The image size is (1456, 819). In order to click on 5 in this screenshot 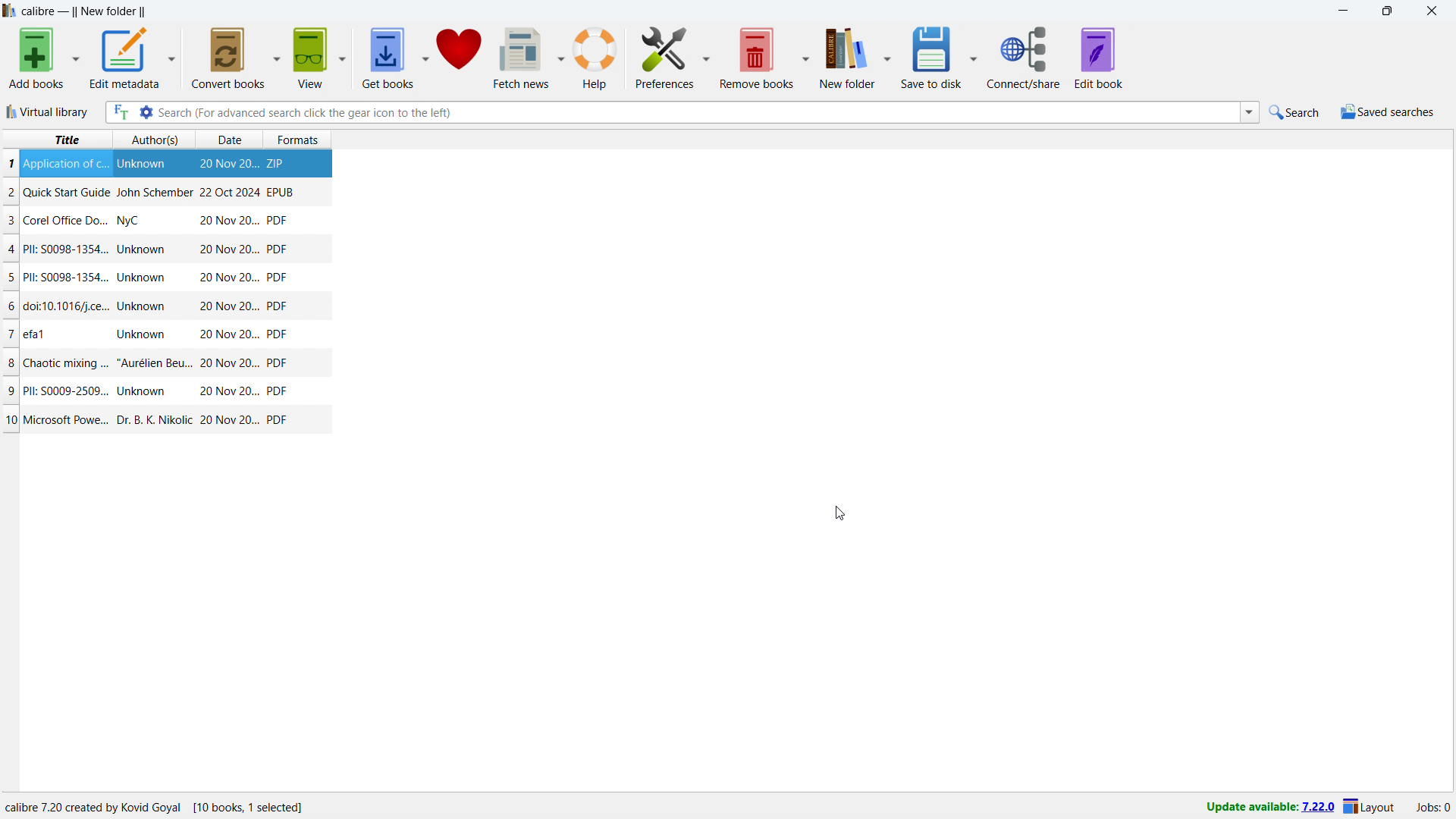, I will do `click(11, 278)`.